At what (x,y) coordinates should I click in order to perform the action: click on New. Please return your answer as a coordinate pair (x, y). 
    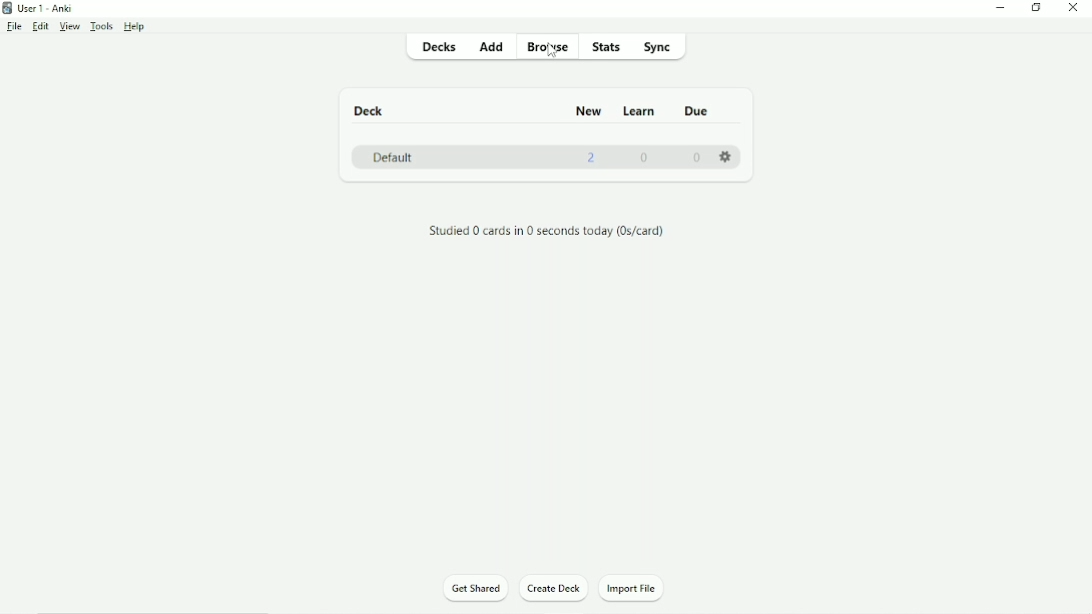
    Looking at the image, I should click on (592, 112).